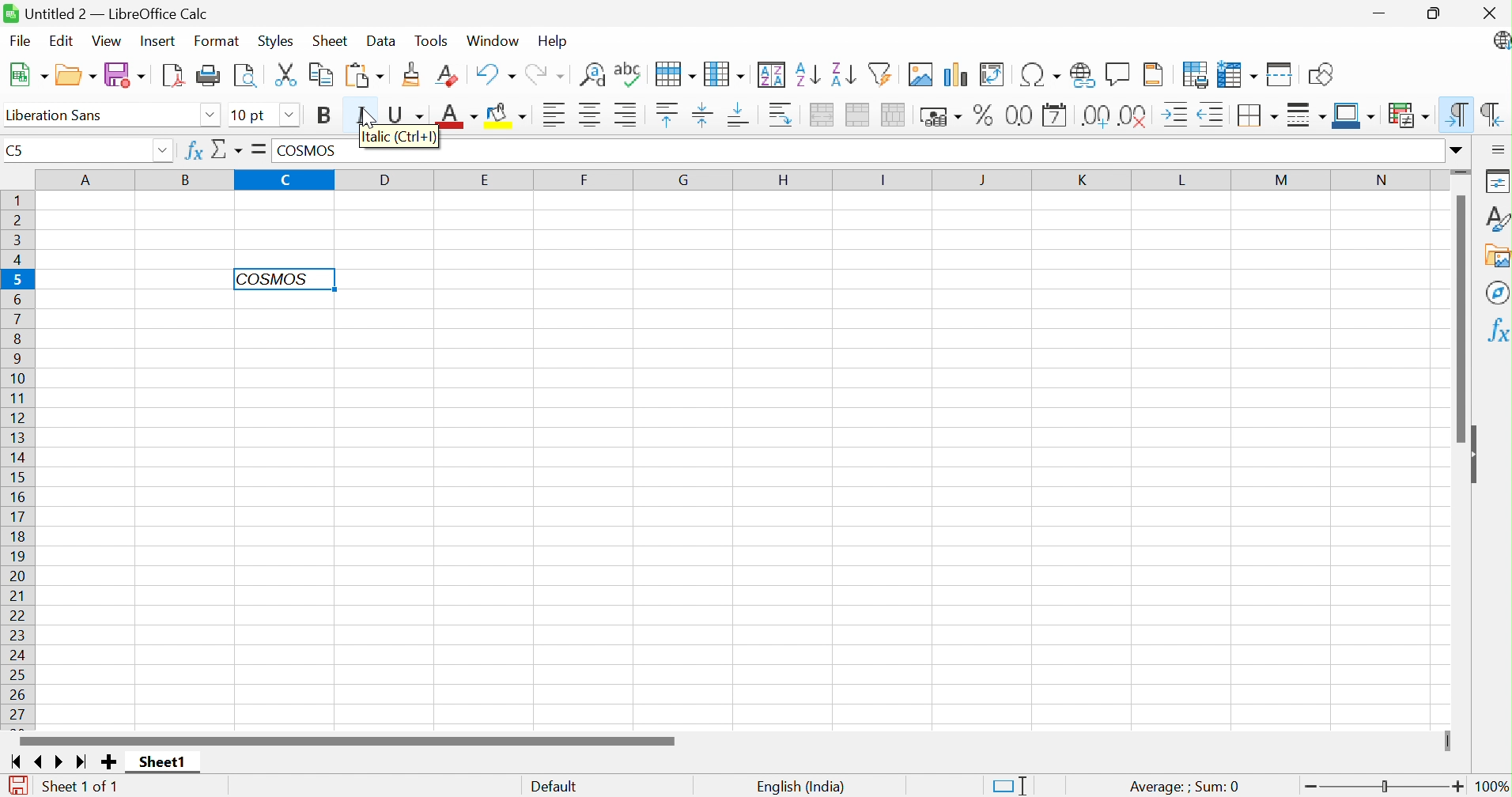  What do you see at coordinates (325, 115) in the screenshot?
I see `Bold` at bounding box center [325, 115].